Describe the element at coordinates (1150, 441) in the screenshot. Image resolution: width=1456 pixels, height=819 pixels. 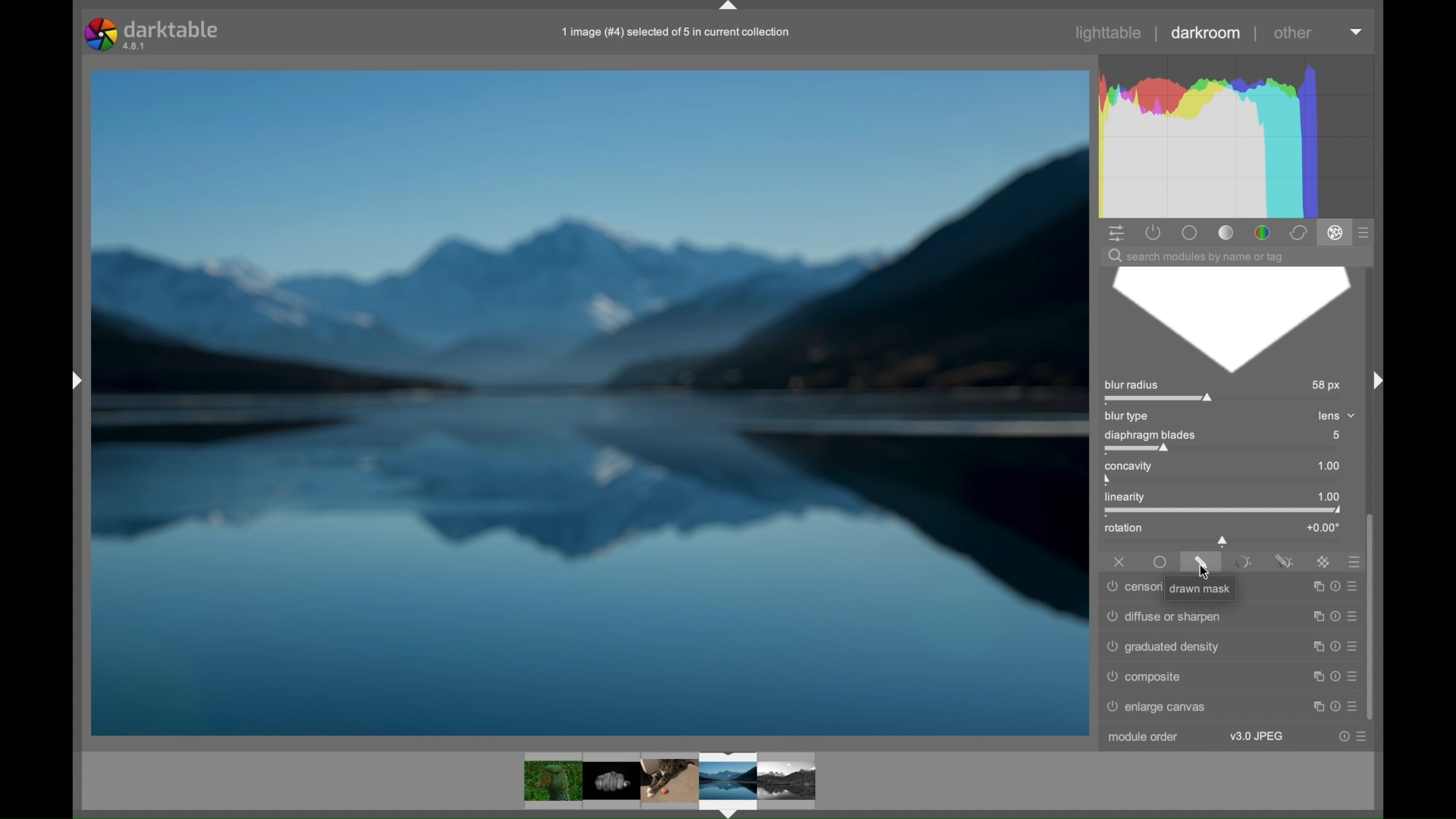
I see `diaphragm blades` at that location.